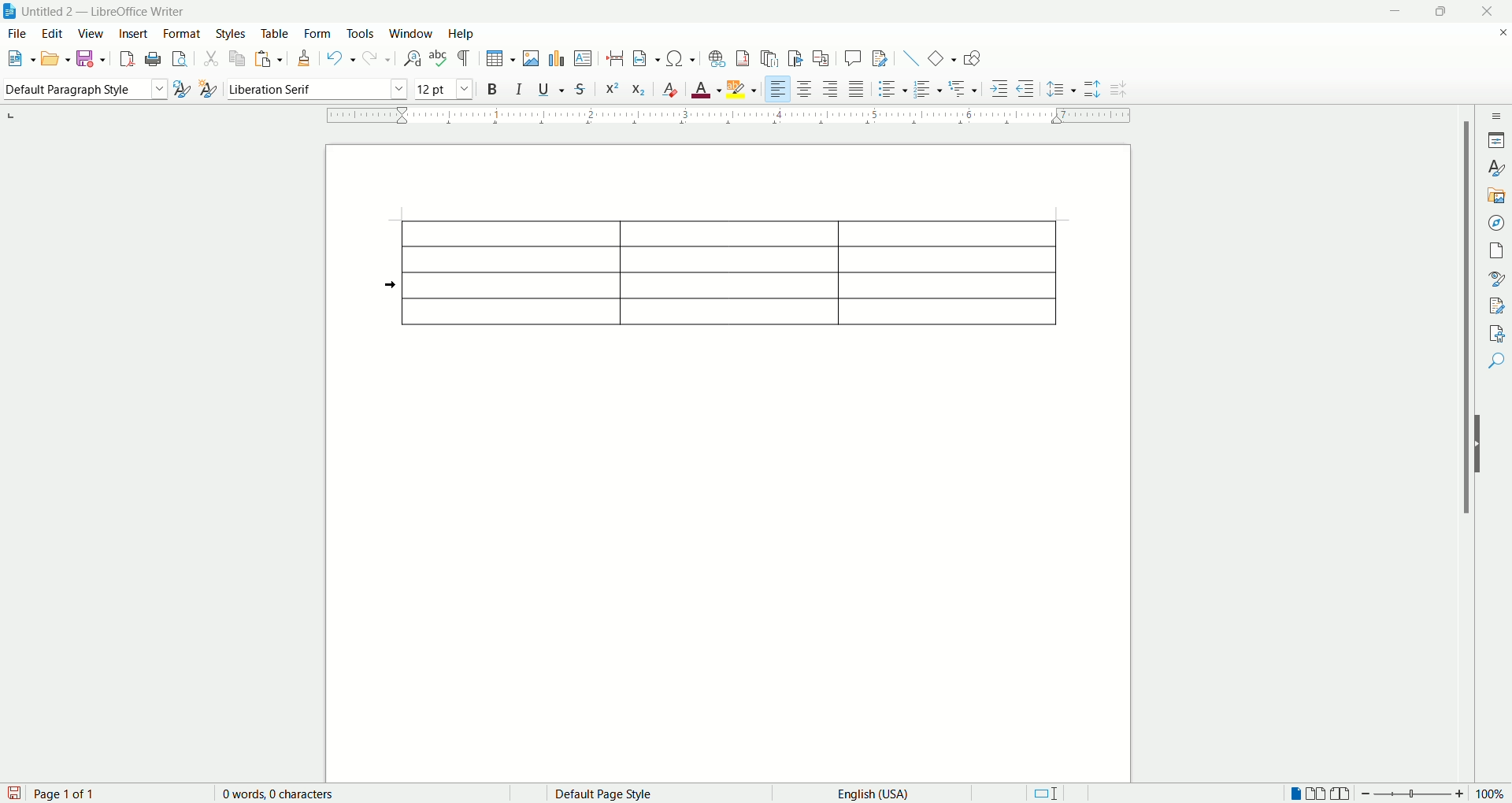 The height and width of the screenshot is (803, 1512). What do you see at coordinates (820, 59) in the screenshot?
I see `insert cross reference` at bounding box center [820, 59].